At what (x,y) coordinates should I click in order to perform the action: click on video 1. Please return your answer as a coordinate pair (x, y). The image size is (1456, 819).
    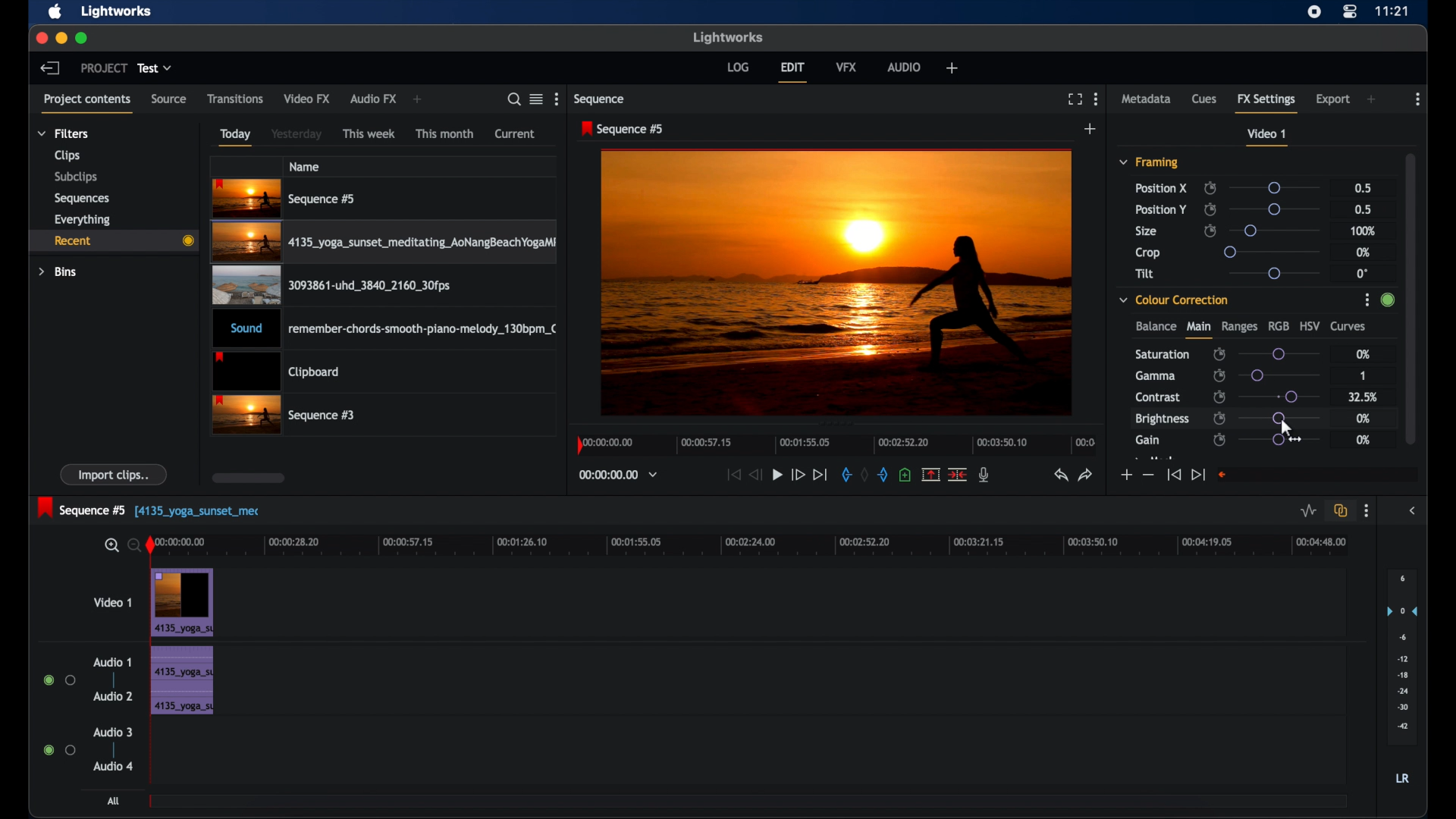
    Looking at the image, I should click on (1266, 137).